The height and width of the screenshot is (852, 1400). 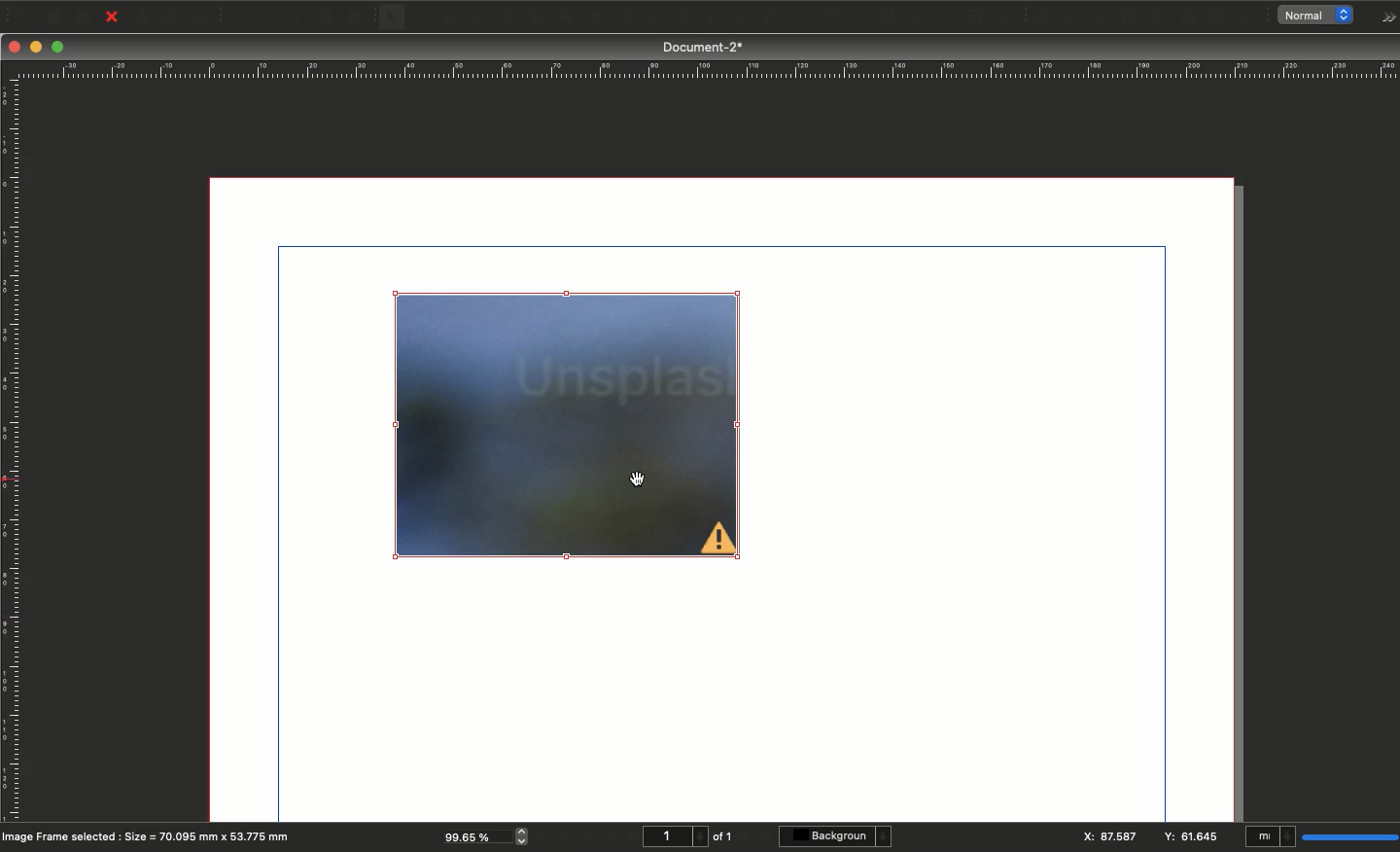 What do you see at coordinates (567, 425) in the screenshot?
I see `Image` at bounding box center [567, 425].